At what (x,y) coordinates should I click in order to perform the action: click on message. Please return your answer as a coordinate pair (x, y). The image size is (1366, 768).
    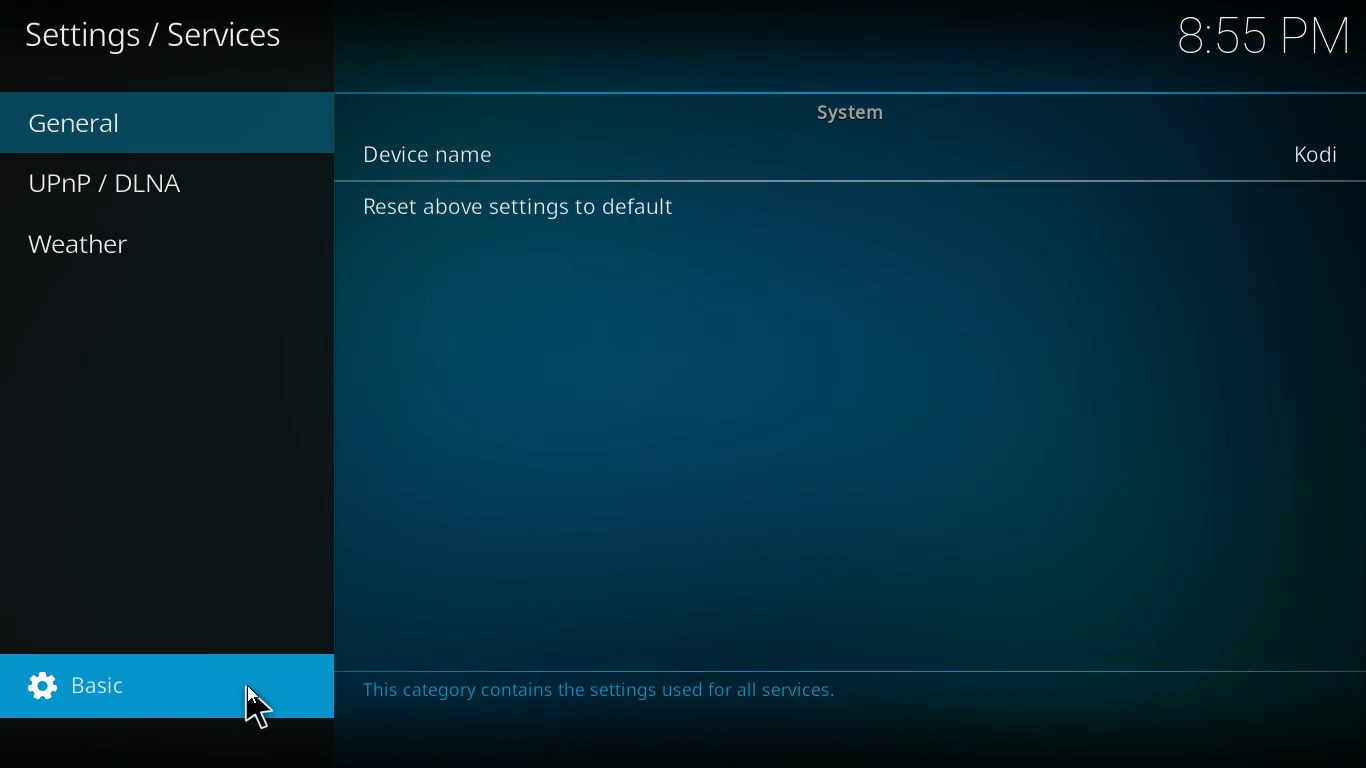
    Looking at the image, I should click on (610, 686).